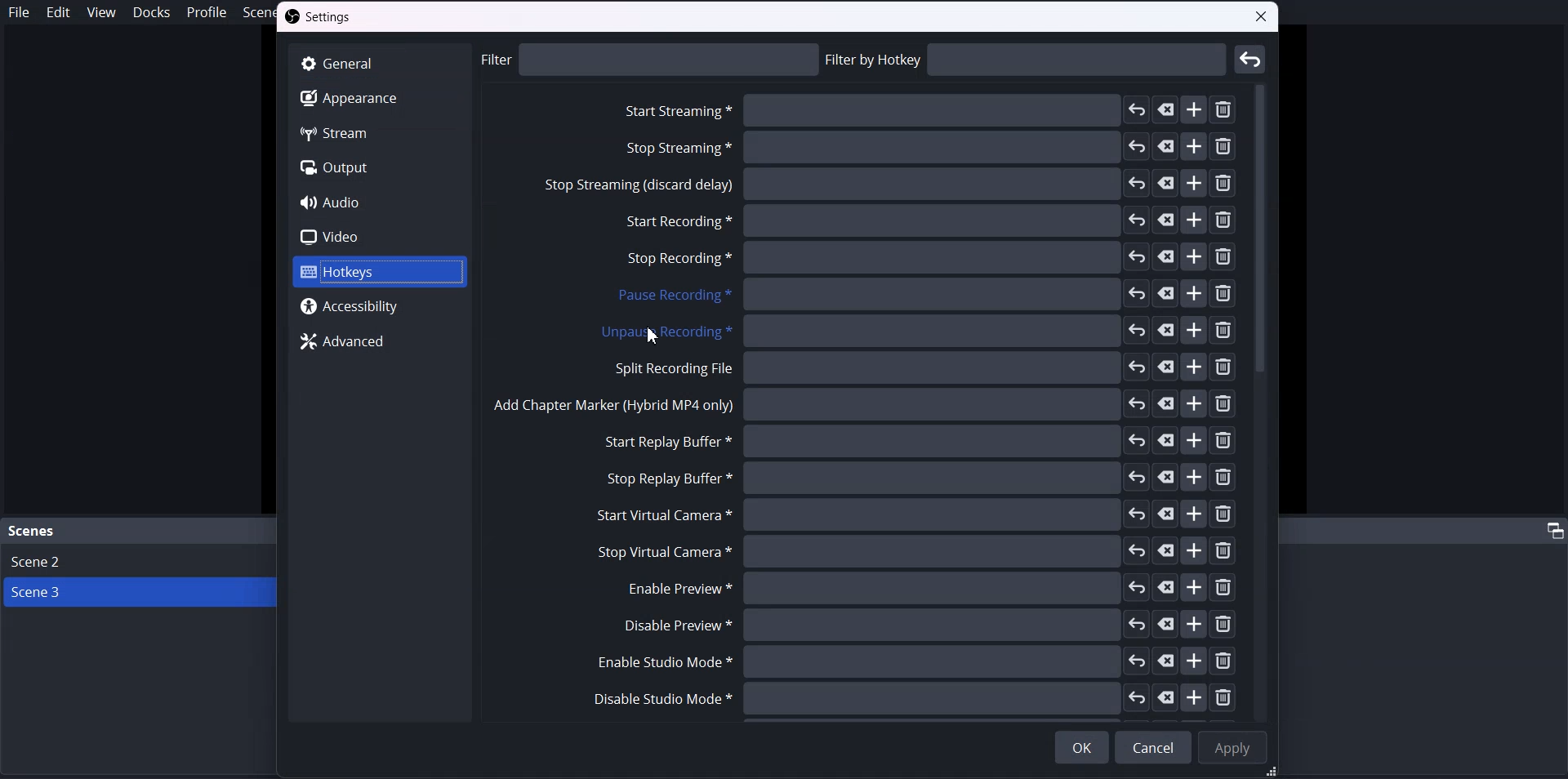  What do you see at coordinates (918, 478) in the screenshot?
I see `Stop replay buffer` at bounding box center [918, 478].